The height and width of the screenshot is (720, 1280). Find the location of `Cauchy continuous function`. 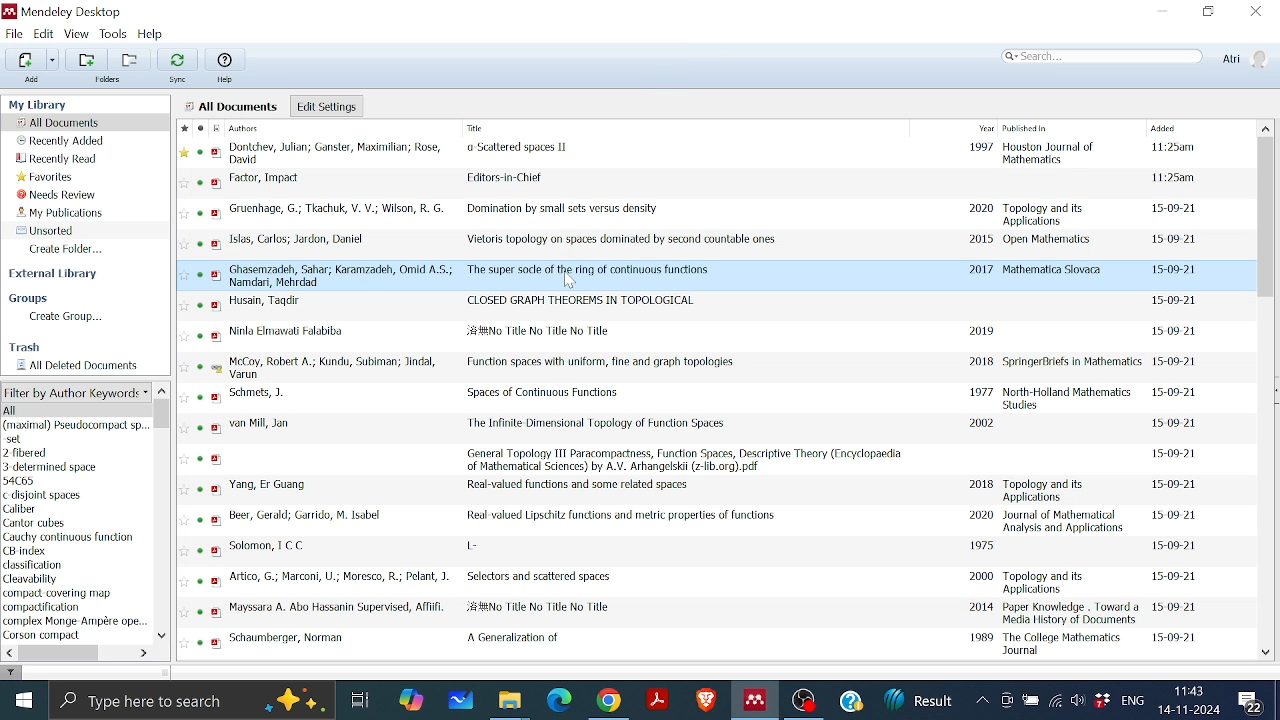

Cauchy continuous function is located at coordinates (68, 538).